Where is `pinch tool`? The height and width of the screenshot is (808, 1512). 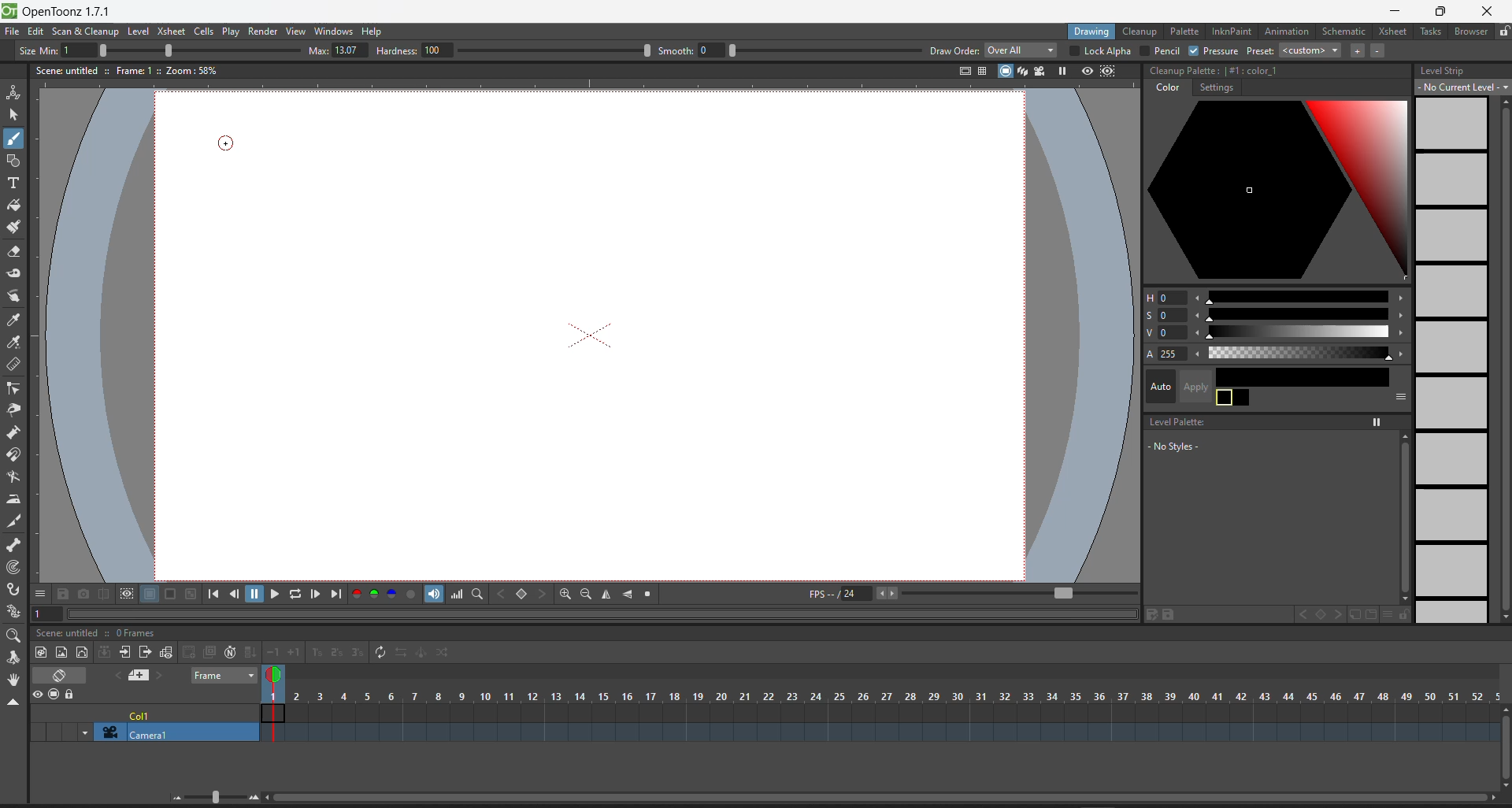
pinch tool is located at coordinates (19, 410).